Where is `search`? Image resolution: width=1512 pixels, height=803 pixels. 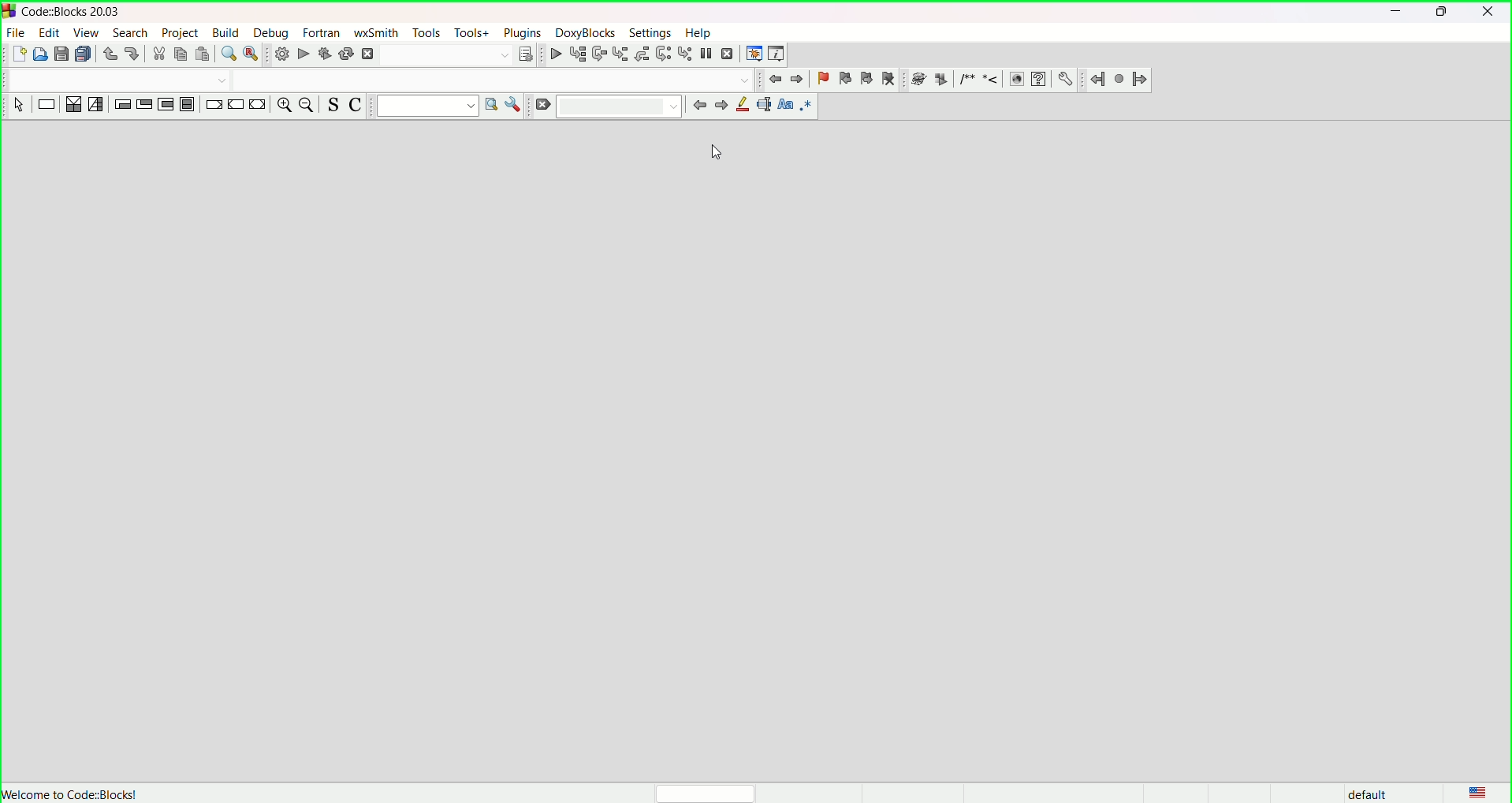
search is located at coordinates (129, 32).